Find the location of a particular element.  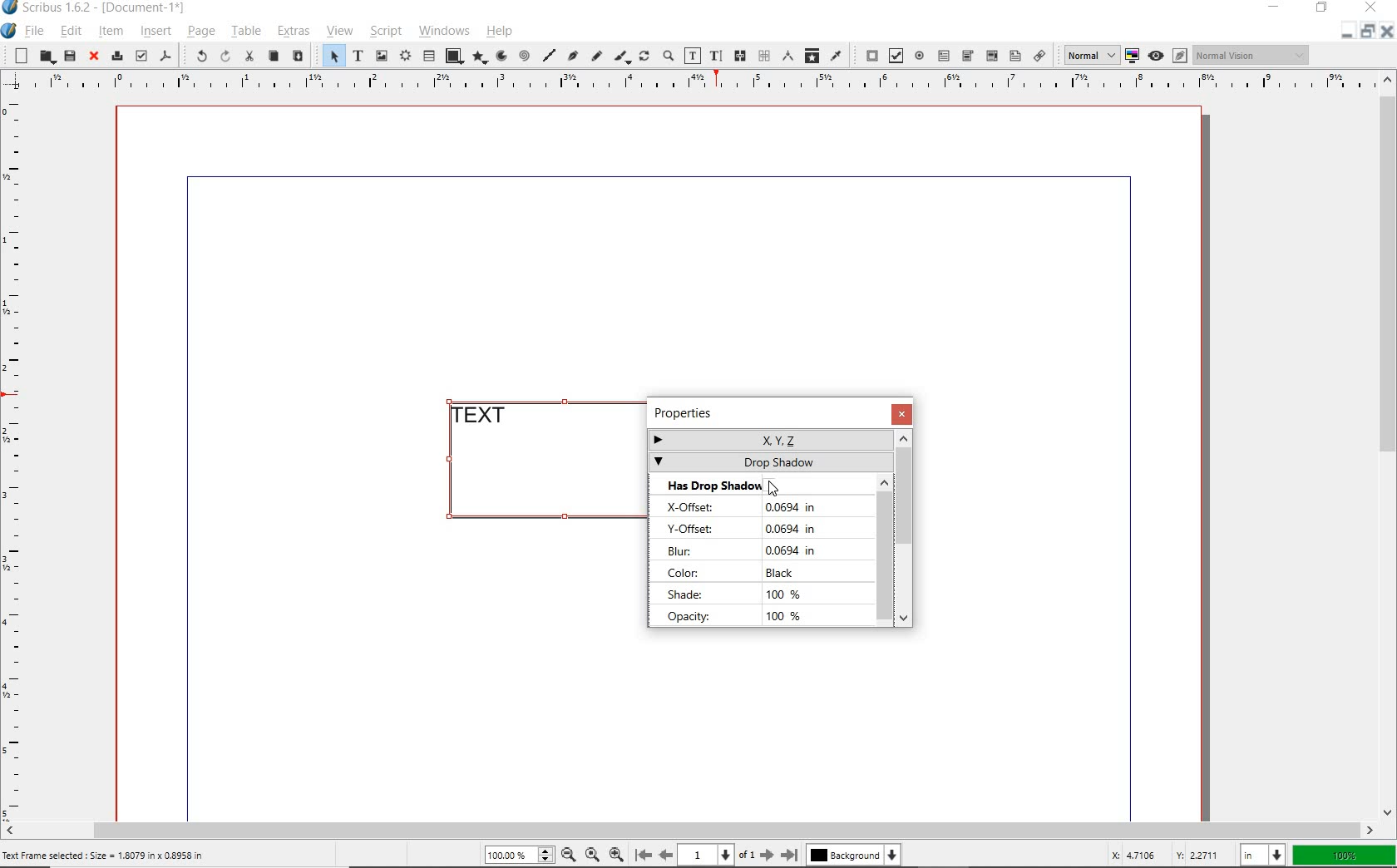

undo is located at coordinates (196, 55).